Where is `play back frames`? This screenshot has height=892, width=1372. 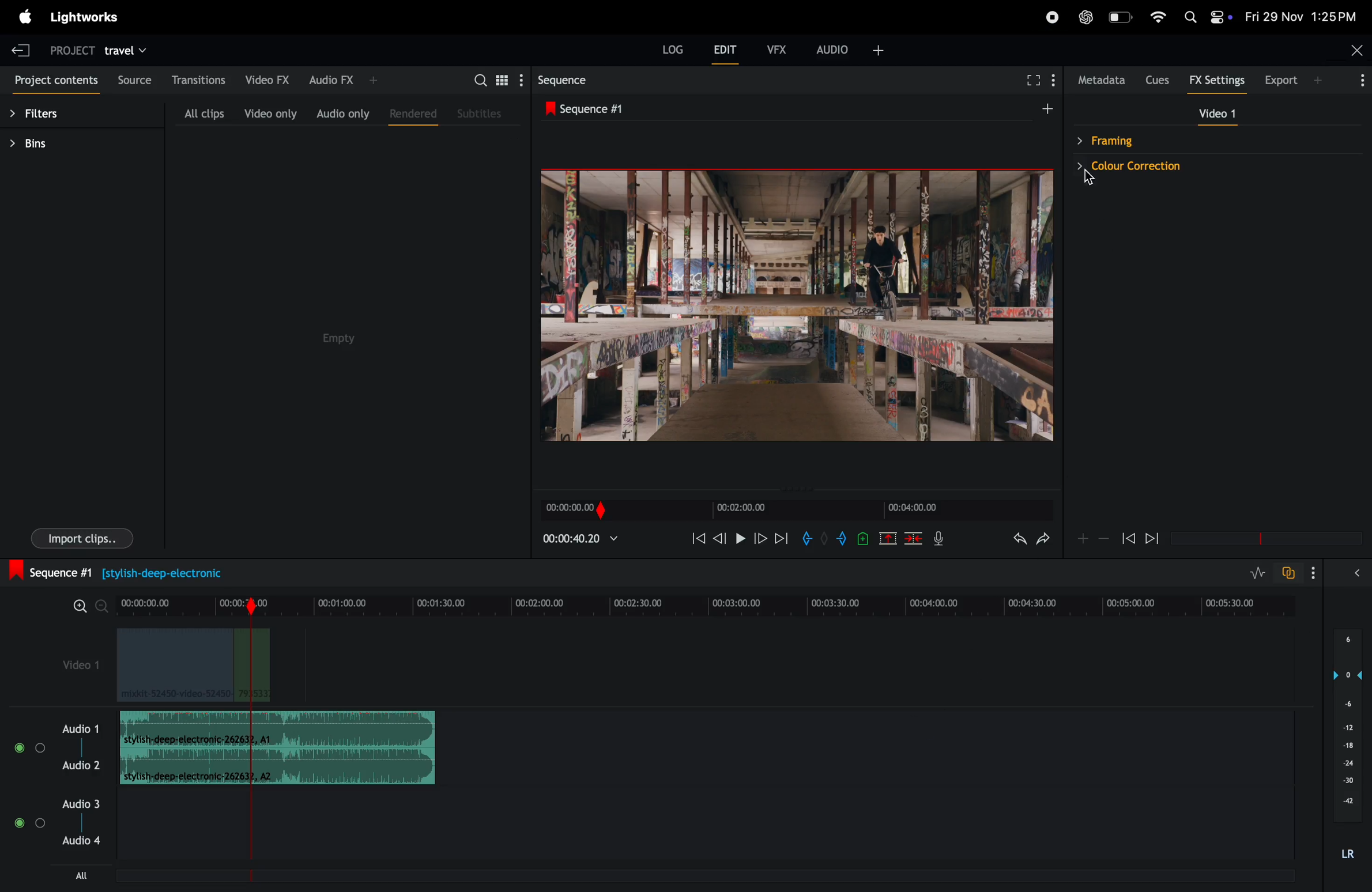 play back frames is located at coordinates (795, 305).